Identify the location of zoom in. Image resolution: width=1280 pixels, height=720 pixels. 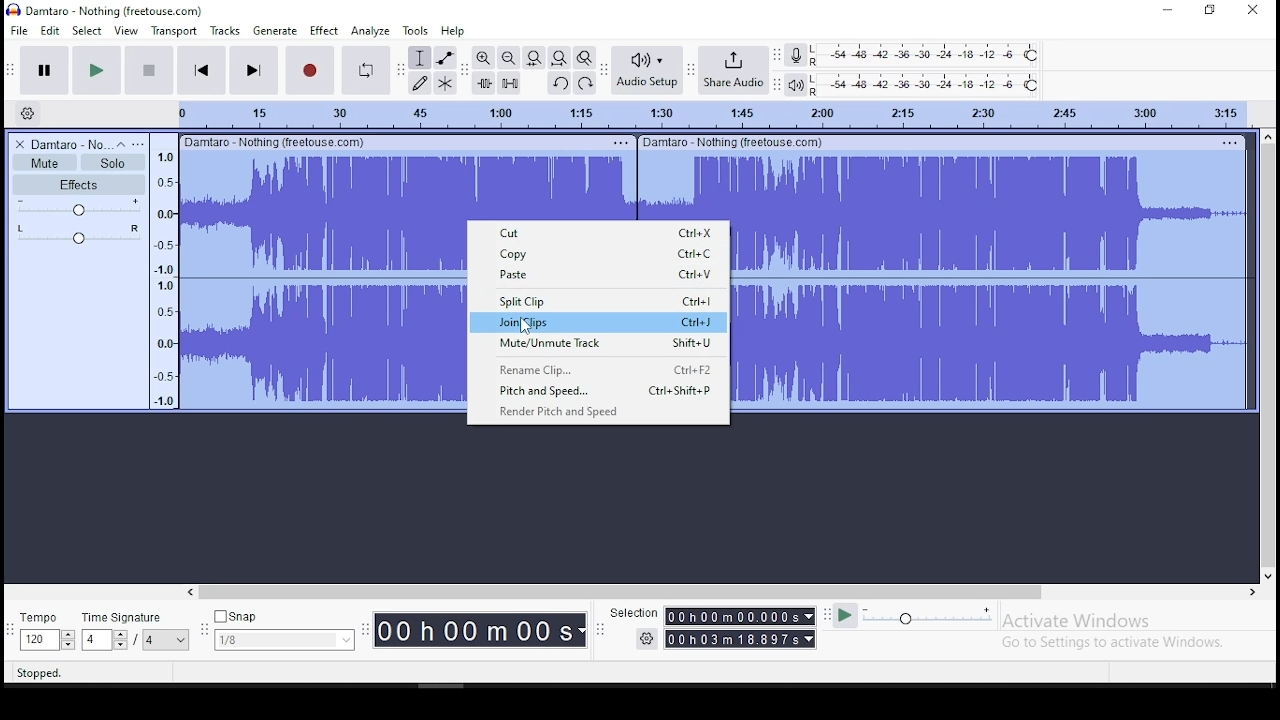
(483, 56).